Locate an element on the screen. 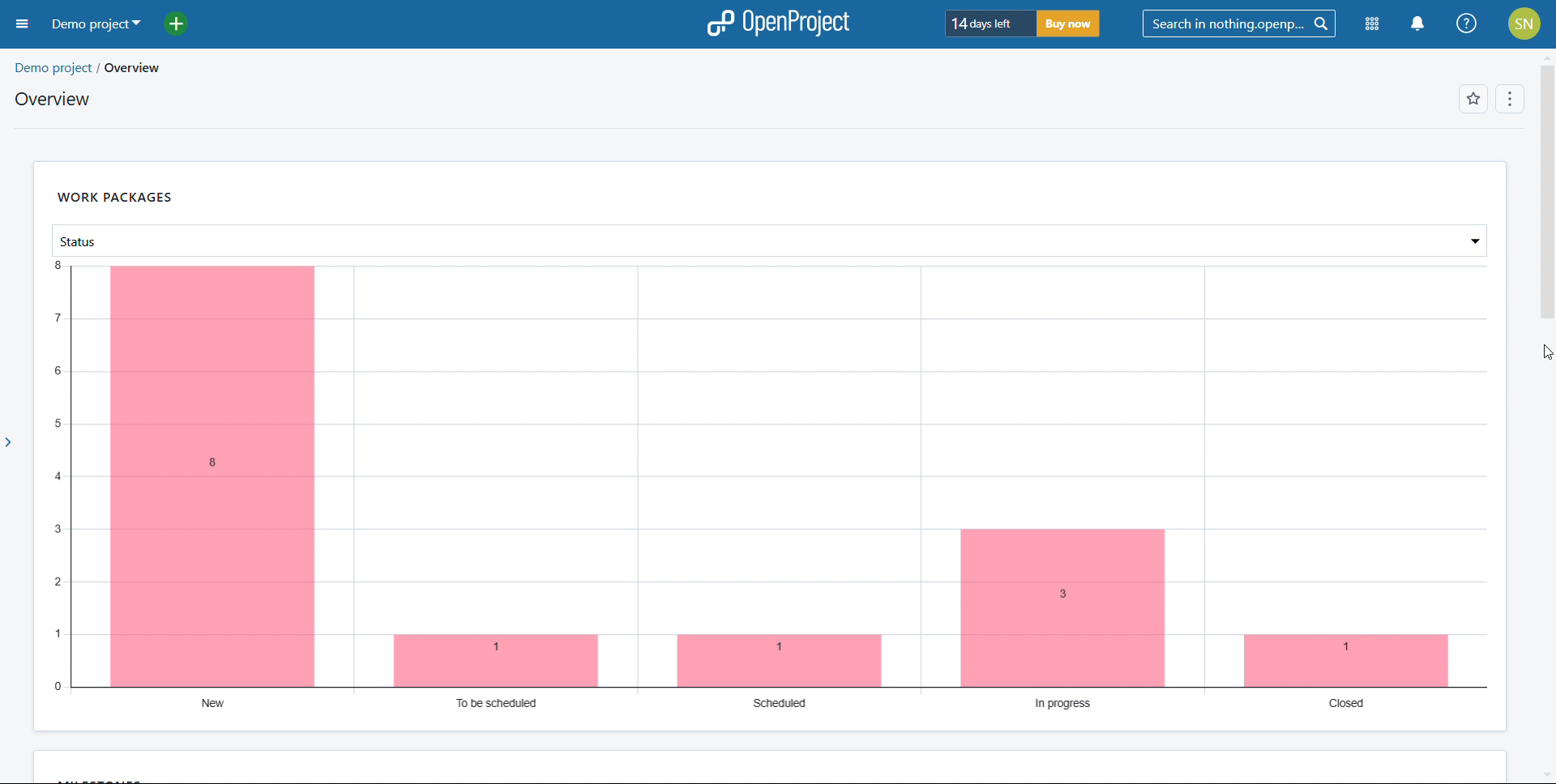 This screenshot has height=784, width=1556. chart is located at coordinates (770, 485).